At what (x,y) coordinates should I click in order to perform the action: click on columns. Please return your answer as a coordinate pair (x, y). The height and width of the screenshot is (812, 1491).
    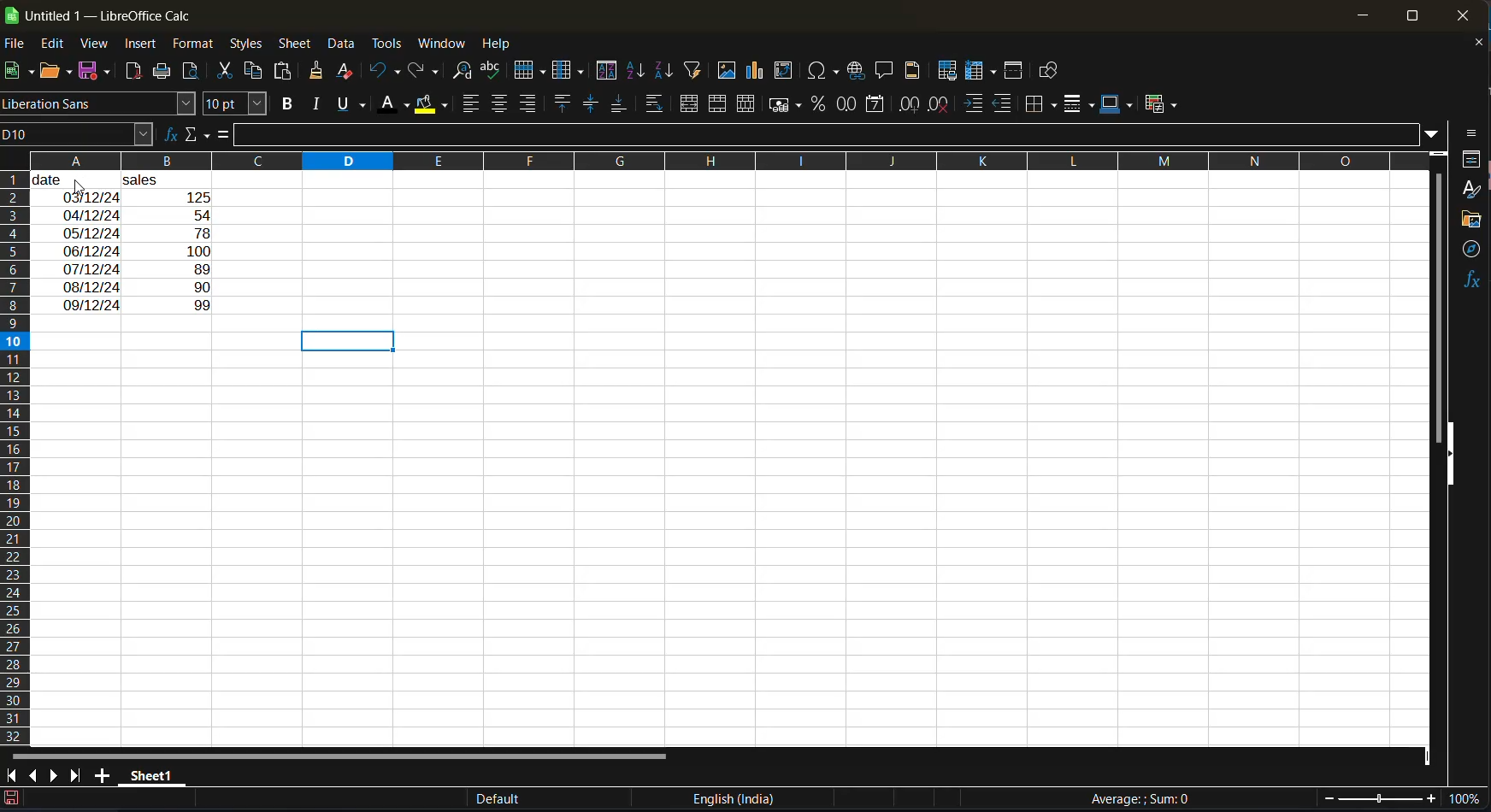
    Looking at the image, I should click on (14, 456).